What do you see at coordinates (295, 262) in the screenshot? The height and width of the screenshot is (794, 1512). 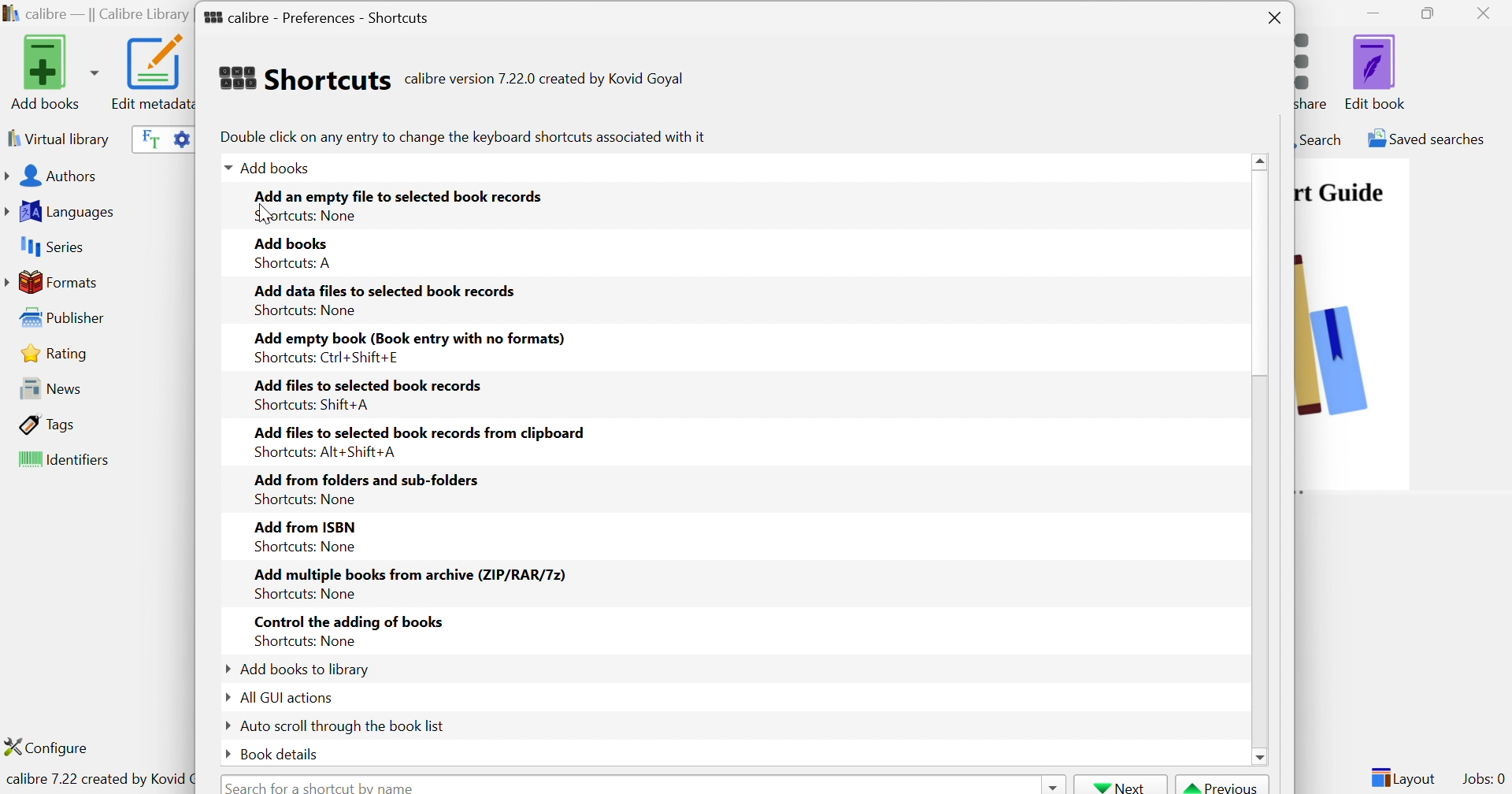 I see `Shortcuts: A` at bounding box center [295, 262].